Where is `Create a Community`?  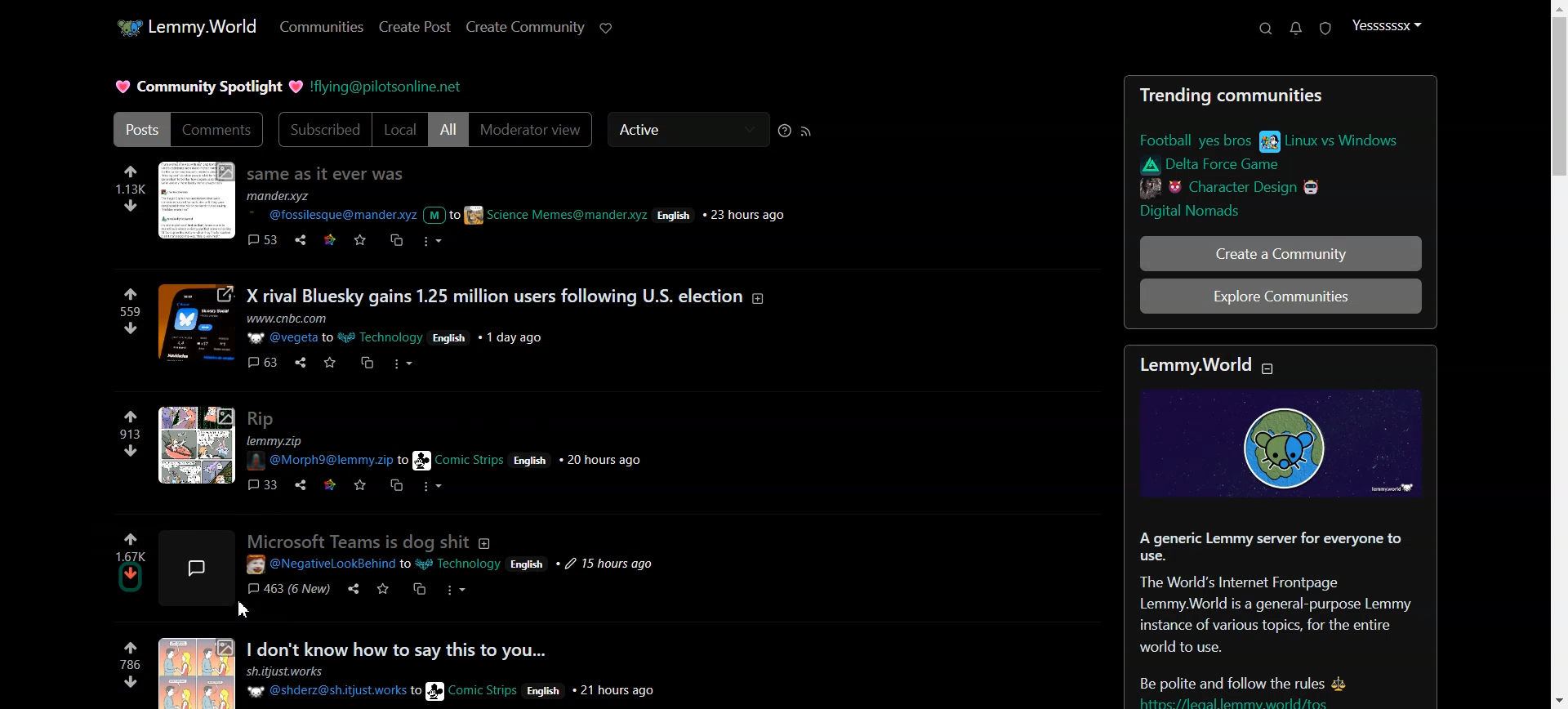 Create a Community is located at coordinates (1282, 256).